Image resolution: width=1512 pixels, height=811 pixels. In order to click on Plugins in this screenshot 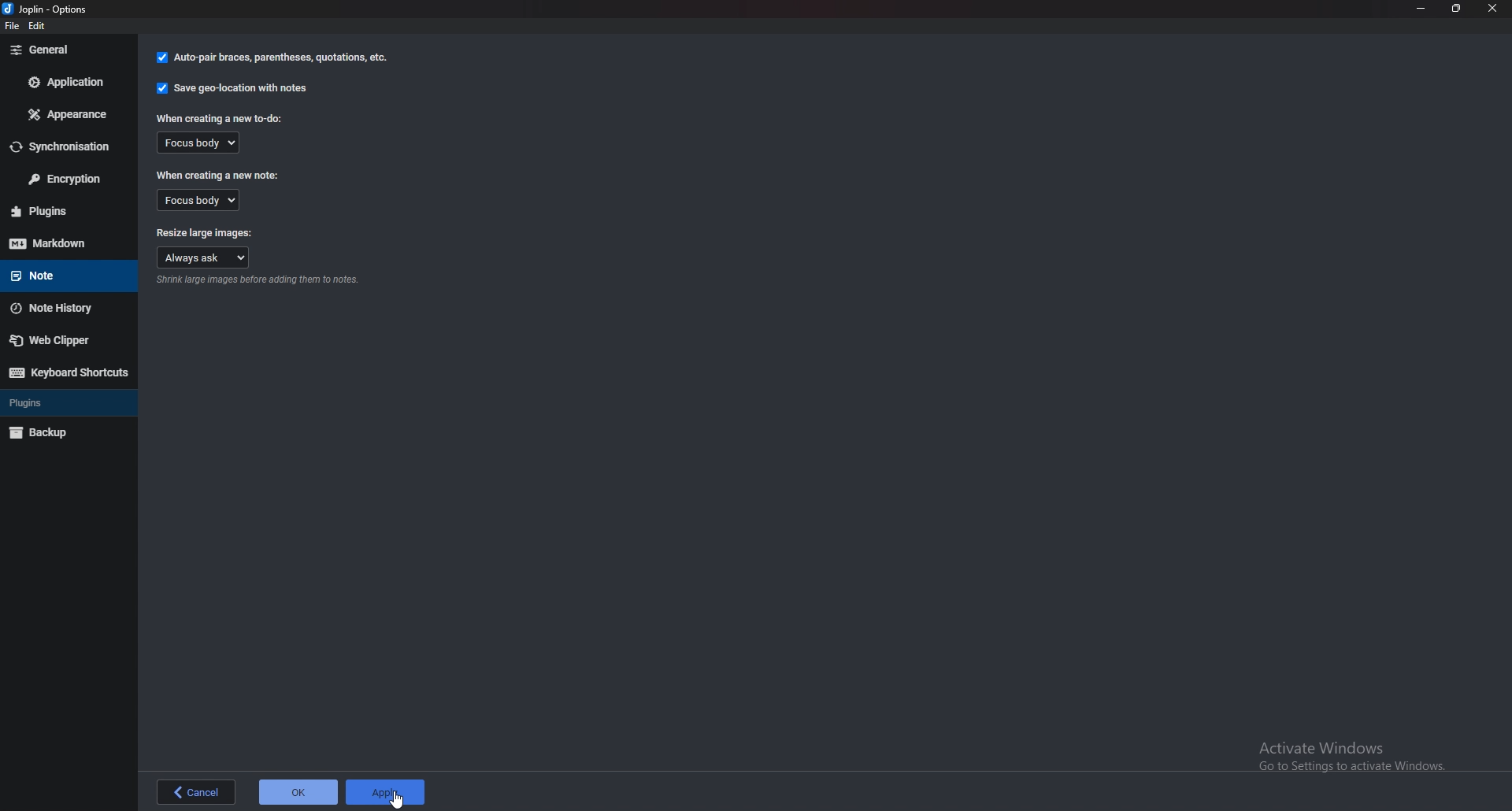, I will do `click(61, 211)`.